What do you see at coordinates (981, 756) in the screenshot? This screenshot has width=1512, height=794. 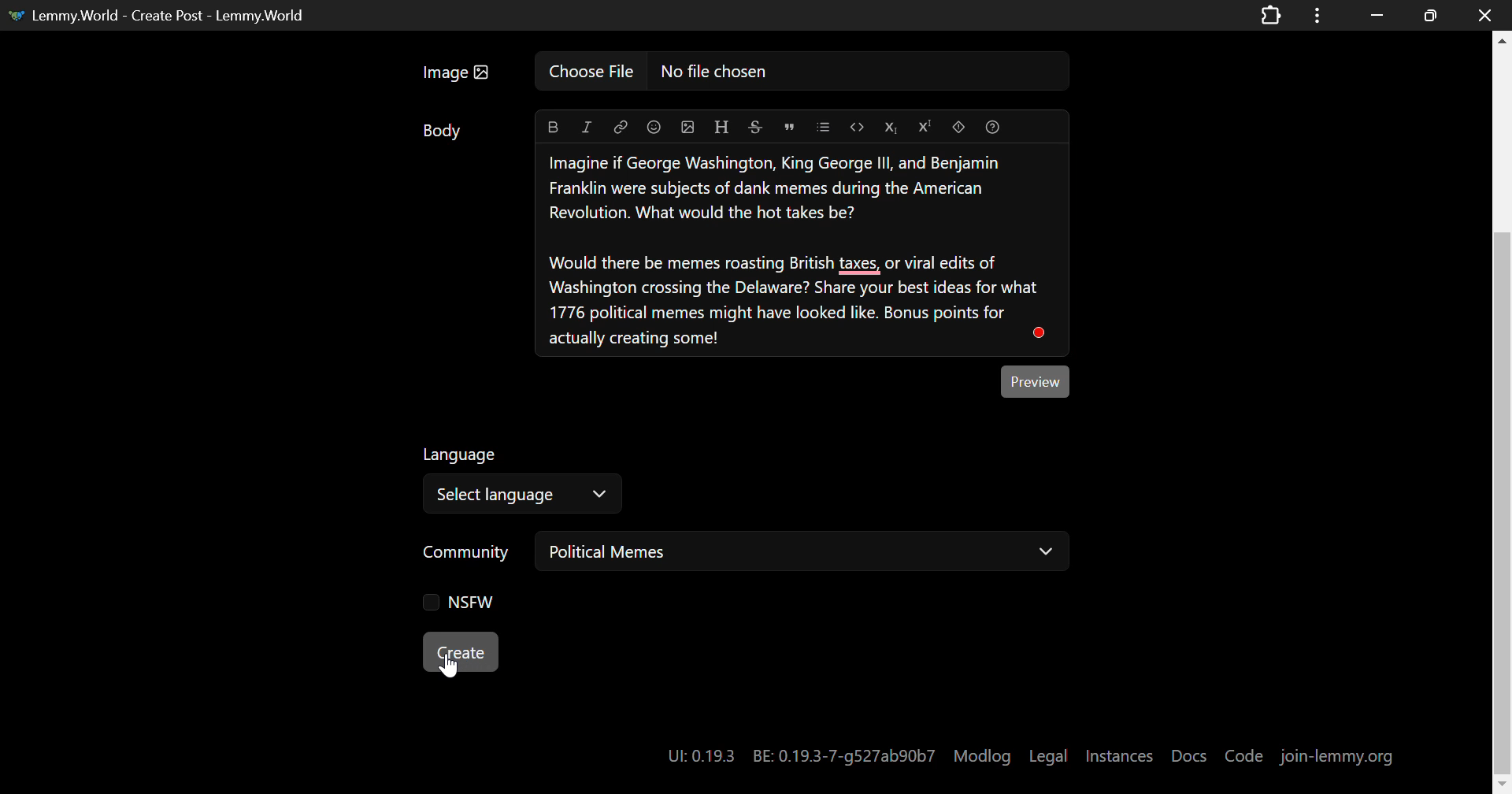 I see `Modlog` at bounding box center [981, 756].